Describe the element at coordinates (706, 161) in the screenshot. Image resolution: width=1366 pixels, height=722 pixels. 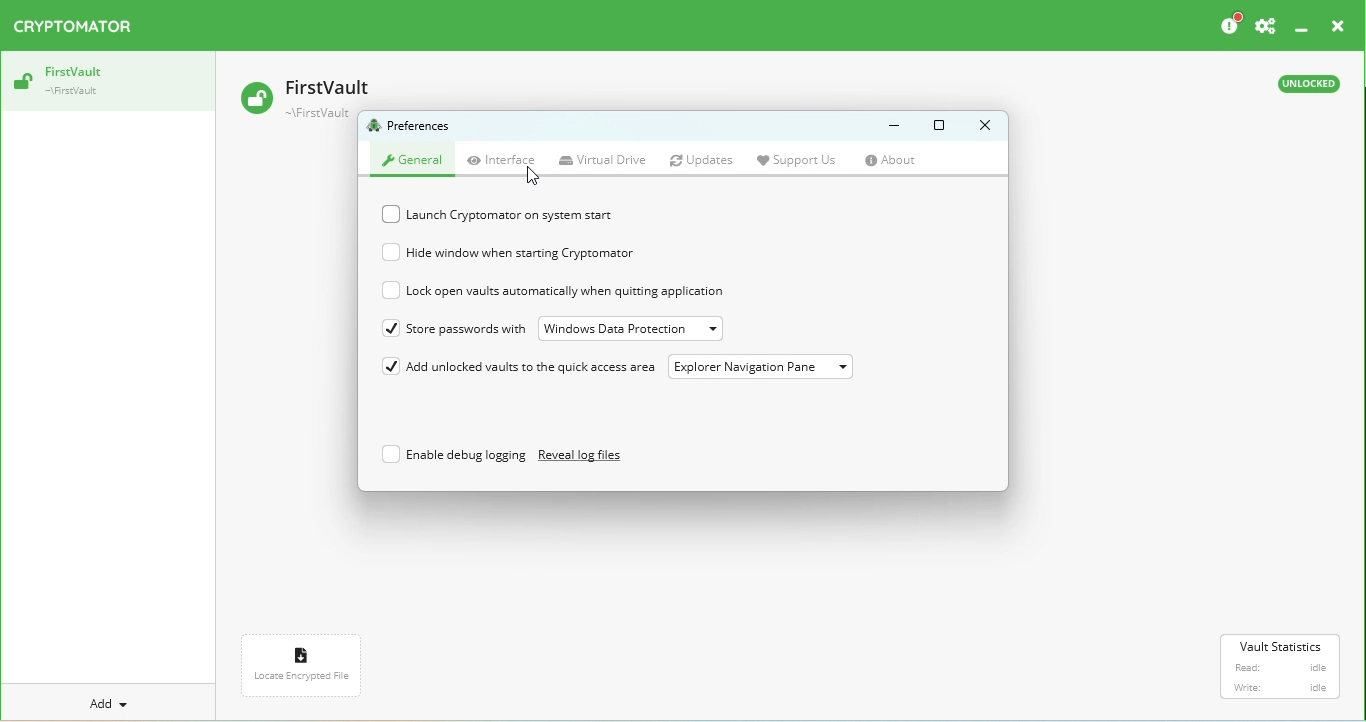
I see `Updates` at that location.